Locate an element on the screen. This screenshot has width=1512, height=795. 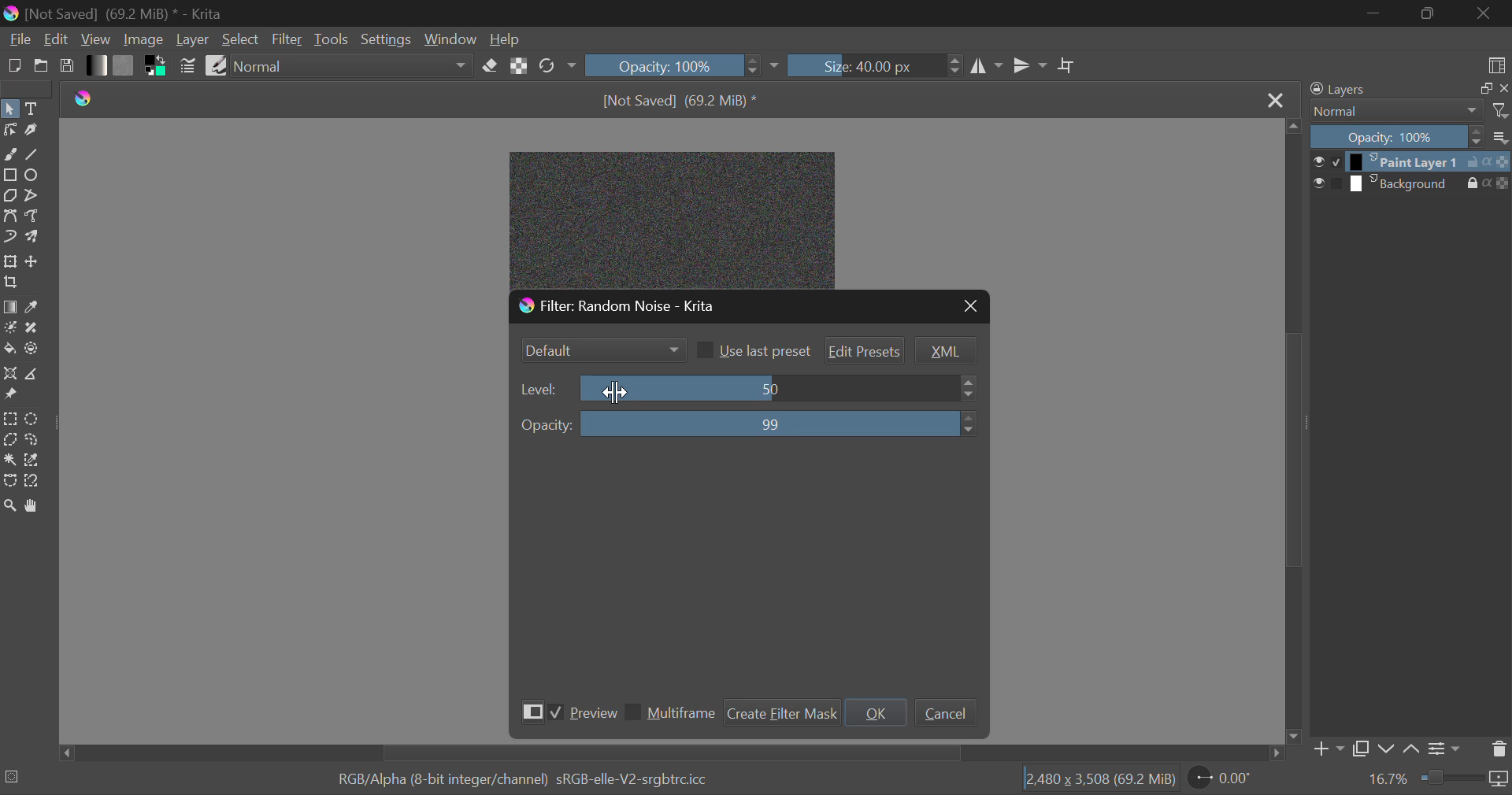
Fill and Enclose is located at coordinates (33, 348).